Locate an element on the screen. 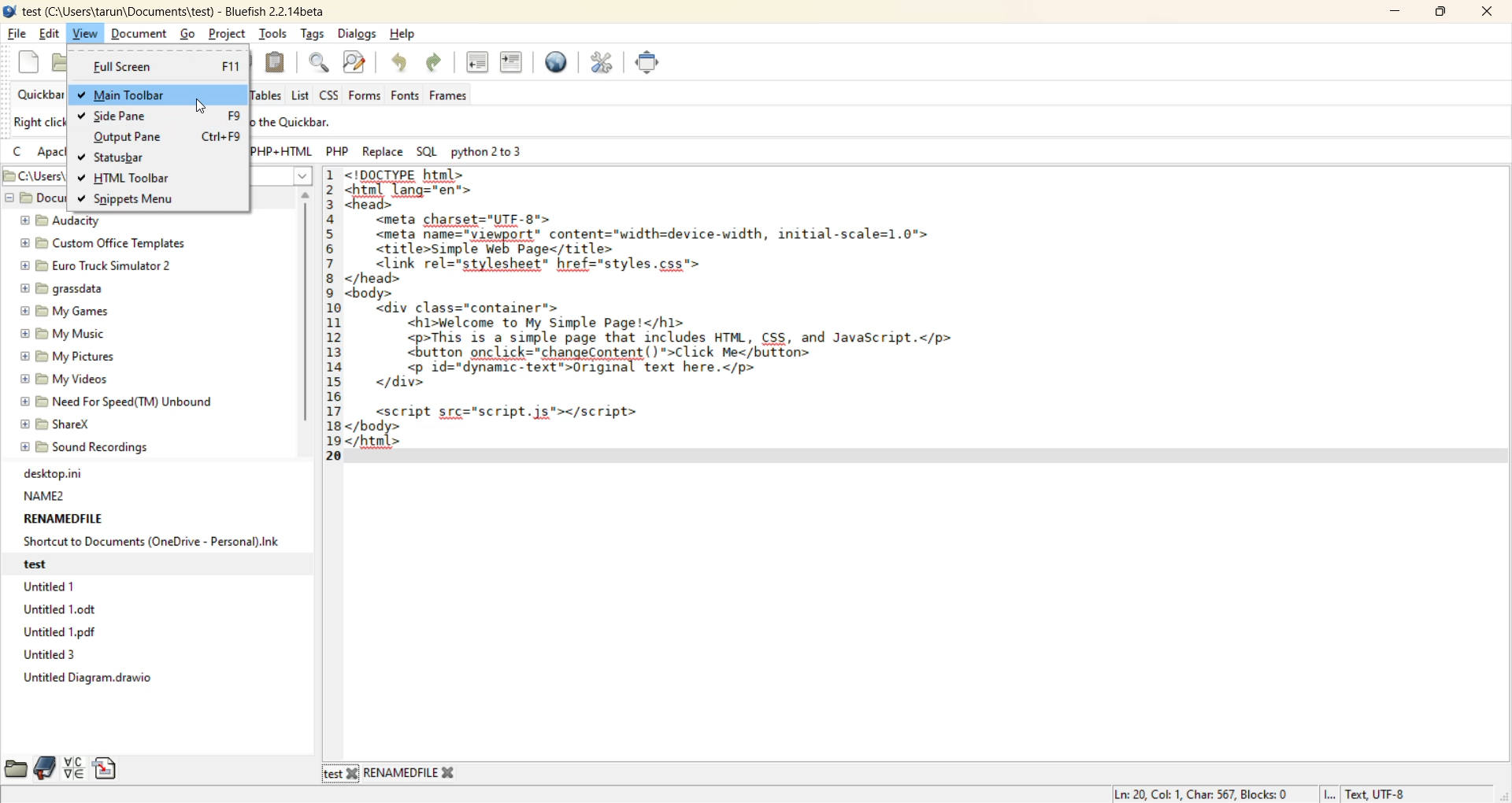 The height and width of the screenshot is (803, 1512). list is located at coordinates (302, 96).